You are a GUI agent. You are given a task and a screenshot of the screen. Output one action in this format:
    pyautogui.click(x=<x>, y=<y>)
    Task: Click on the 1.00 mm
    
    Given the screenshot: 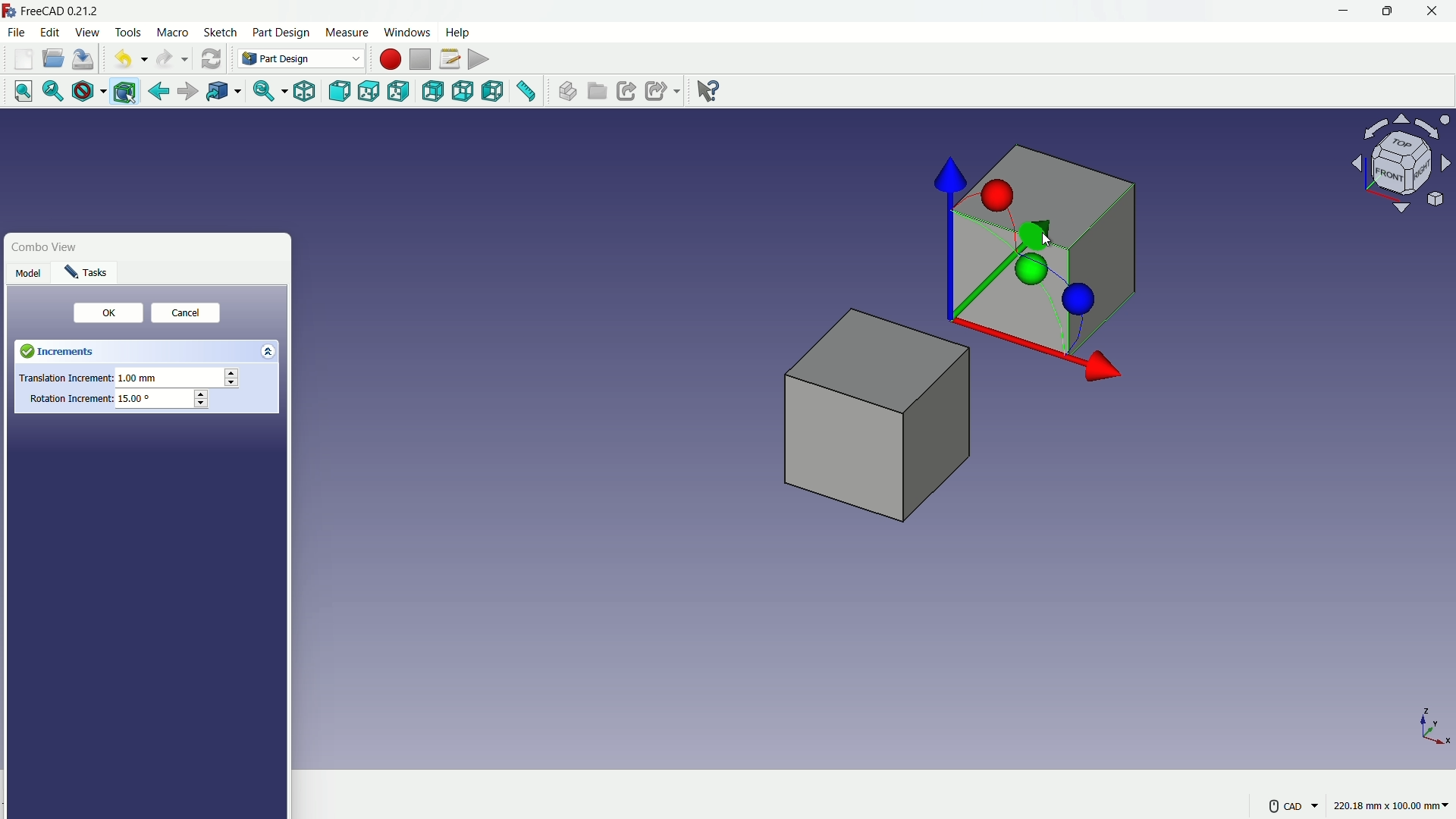 What is the action you would take?
    pyautogui.click(x=142, y=379)
    